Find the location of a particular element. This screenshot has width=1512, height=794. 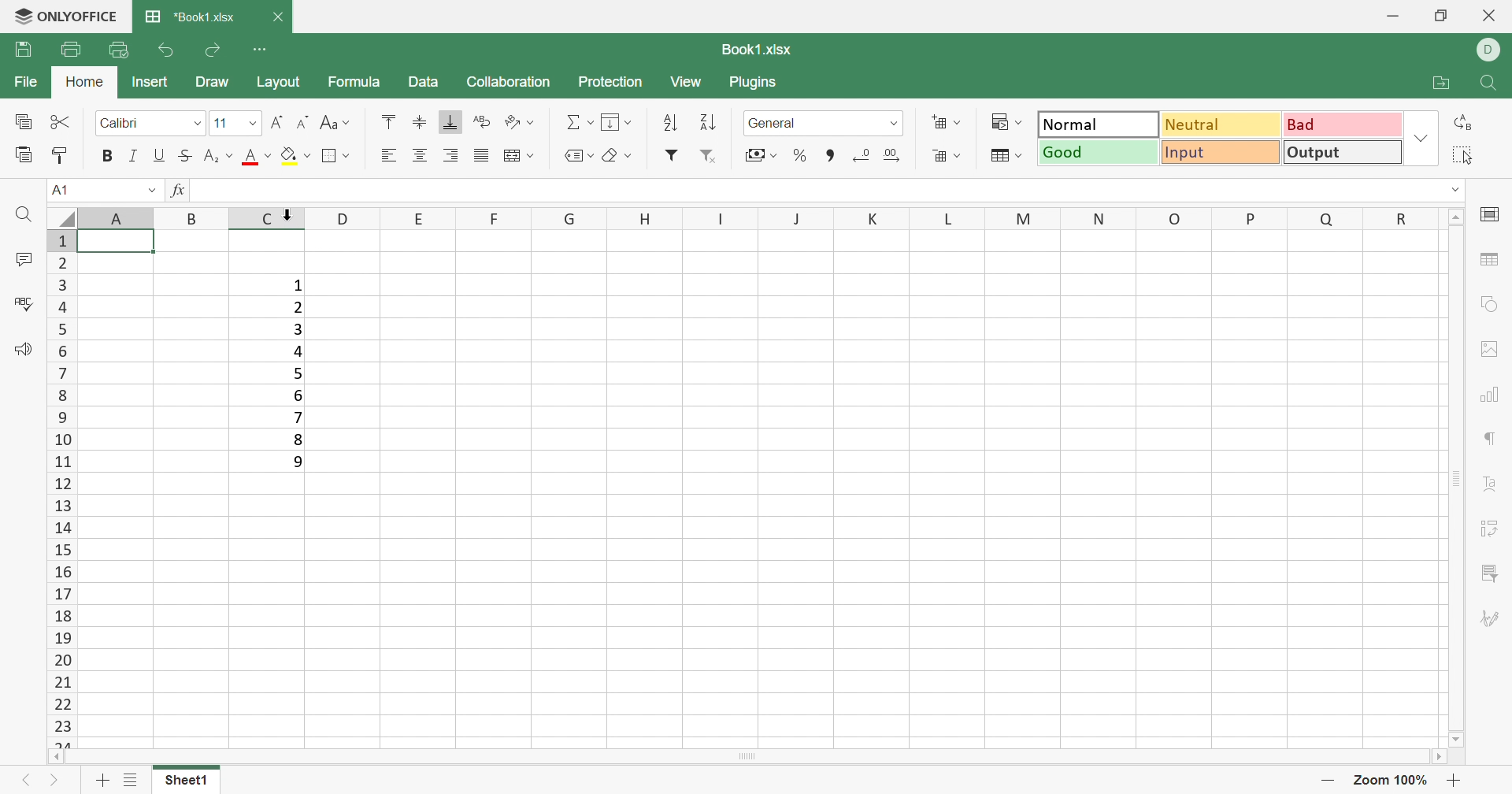

Drop Down is located at coordinates (1421, 141).